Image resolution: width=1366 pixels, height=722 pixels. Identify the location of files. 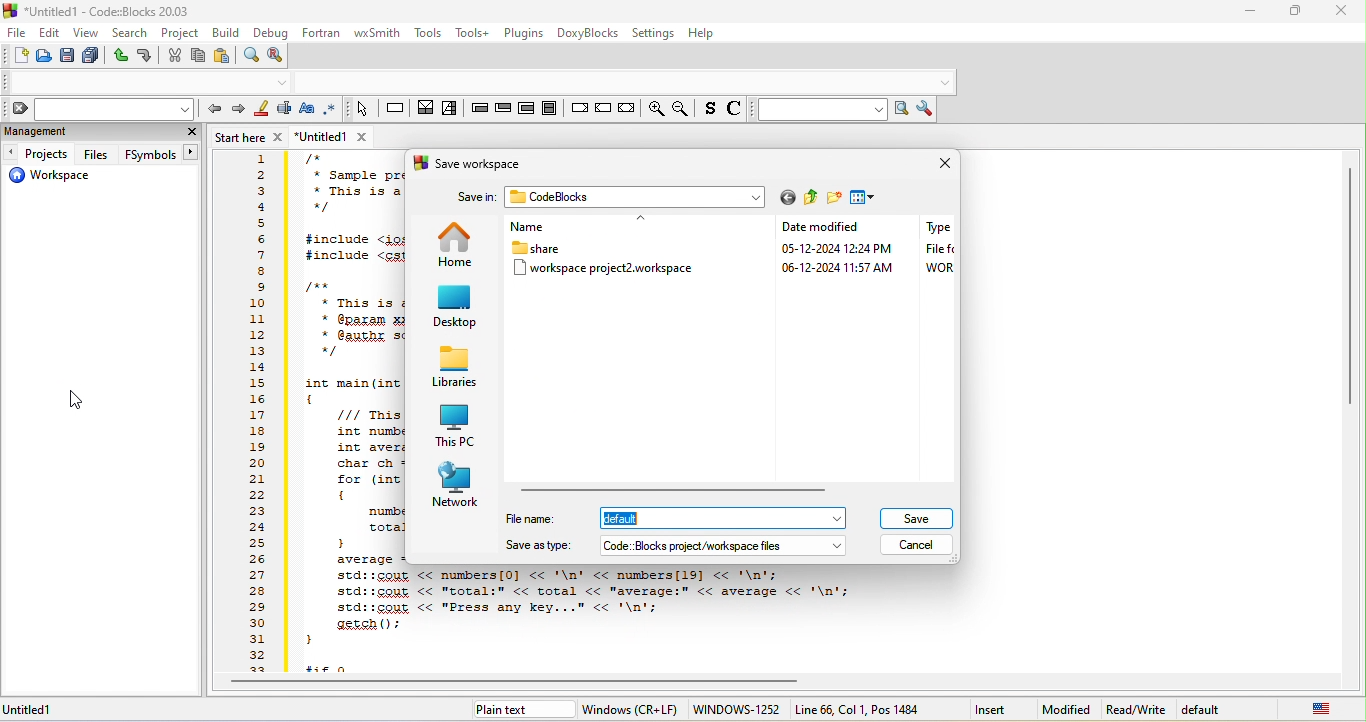
(97, 153).